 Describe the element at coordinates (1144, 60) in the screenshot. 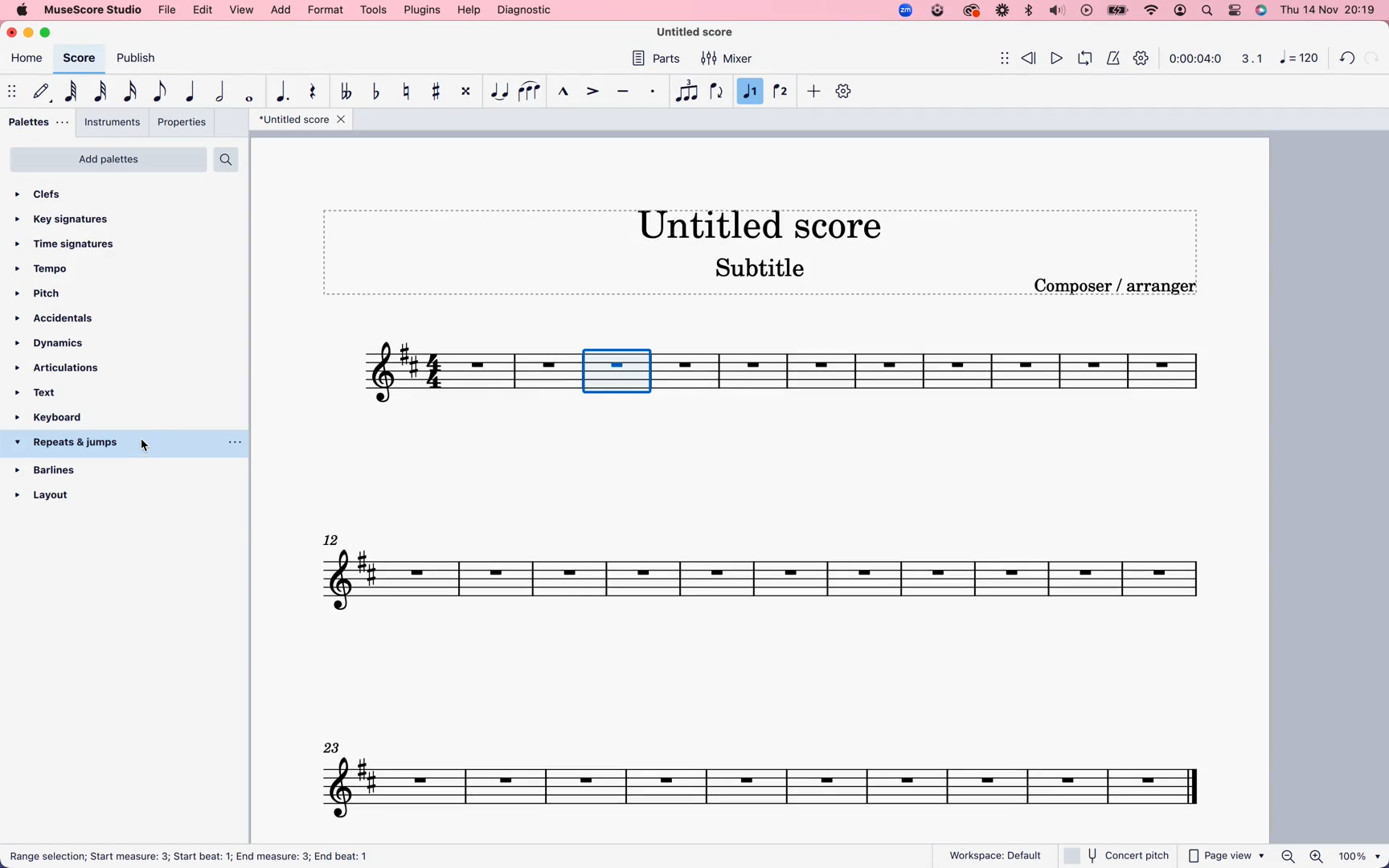

I see `settings` at that location.